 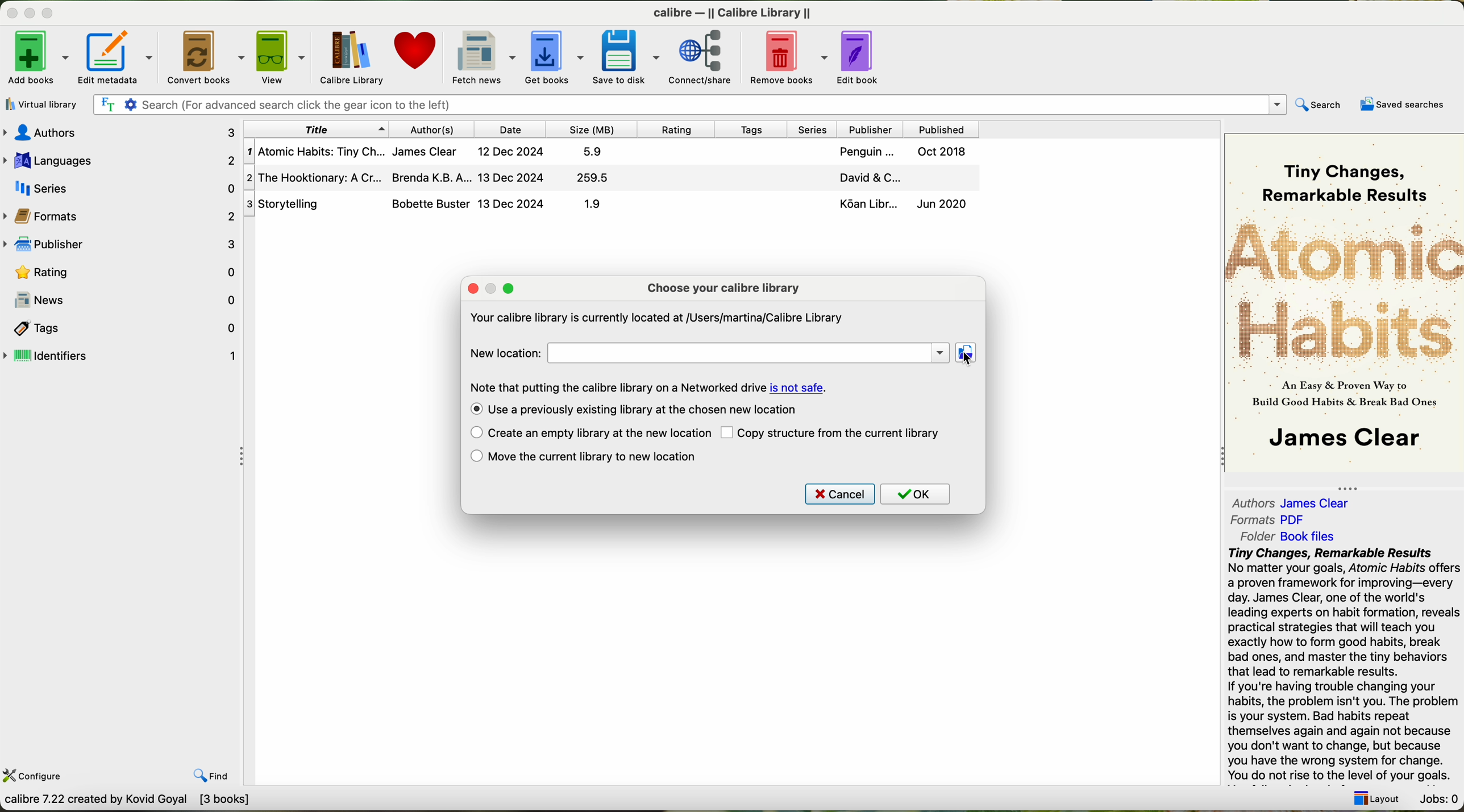 What do you see at coordinates (473, 410) in the screenshot?
I see `check box` at bounding box center [473, 410].